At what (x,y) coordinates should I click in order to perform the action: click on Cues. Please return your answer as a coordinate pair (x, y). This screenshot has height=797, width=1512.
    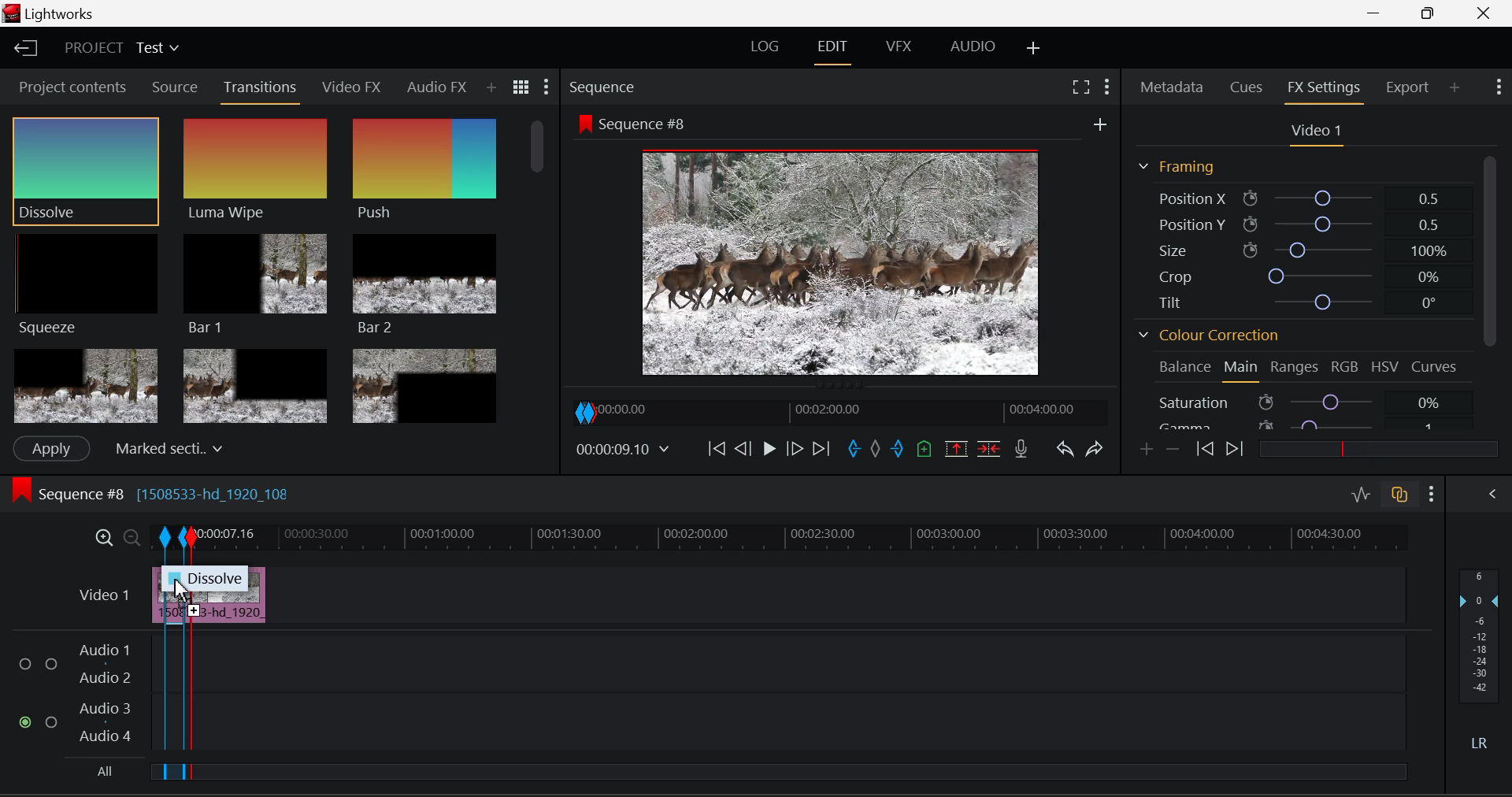
    Looking at the image, I should click on (1244, 88).